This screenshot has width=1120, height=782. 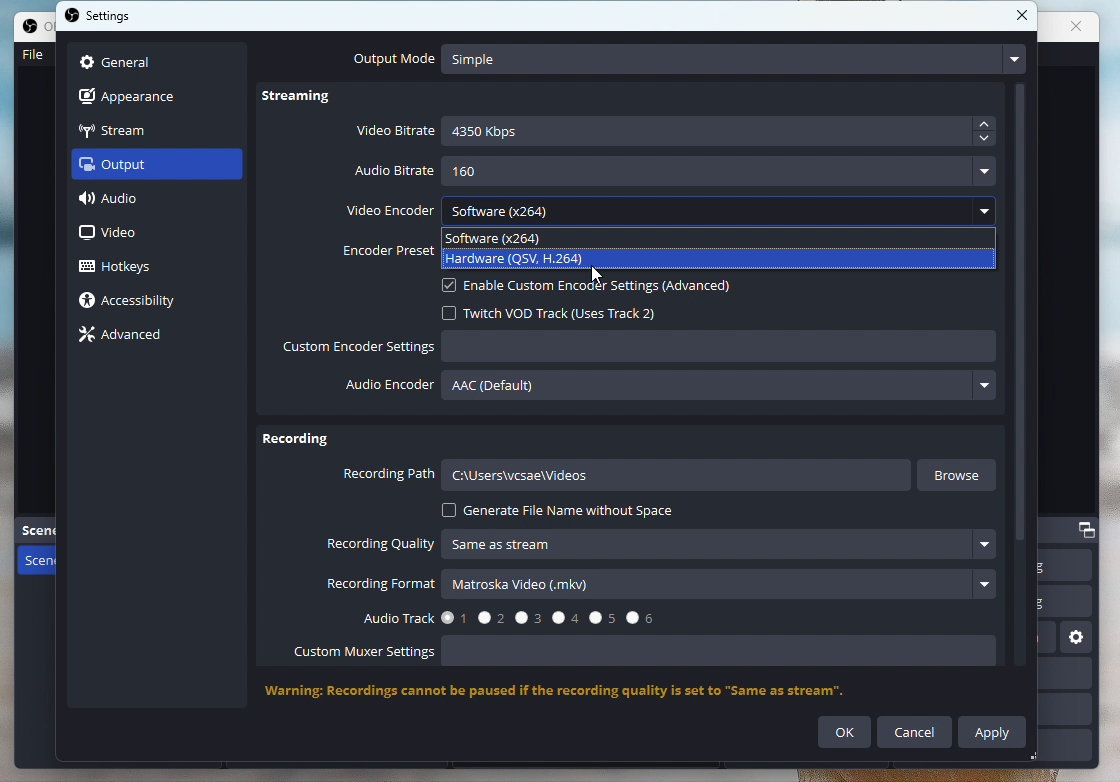 I want to click on Advance, so click(x=128, y=335).